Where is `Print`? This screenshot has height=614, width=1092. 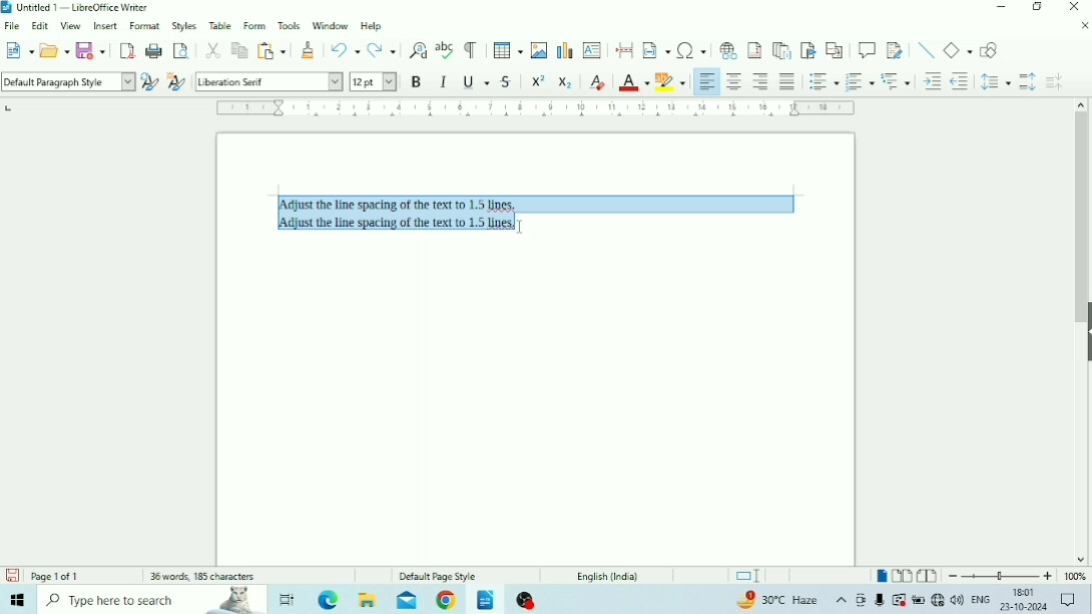
Print is located at coordinates (154, 49).